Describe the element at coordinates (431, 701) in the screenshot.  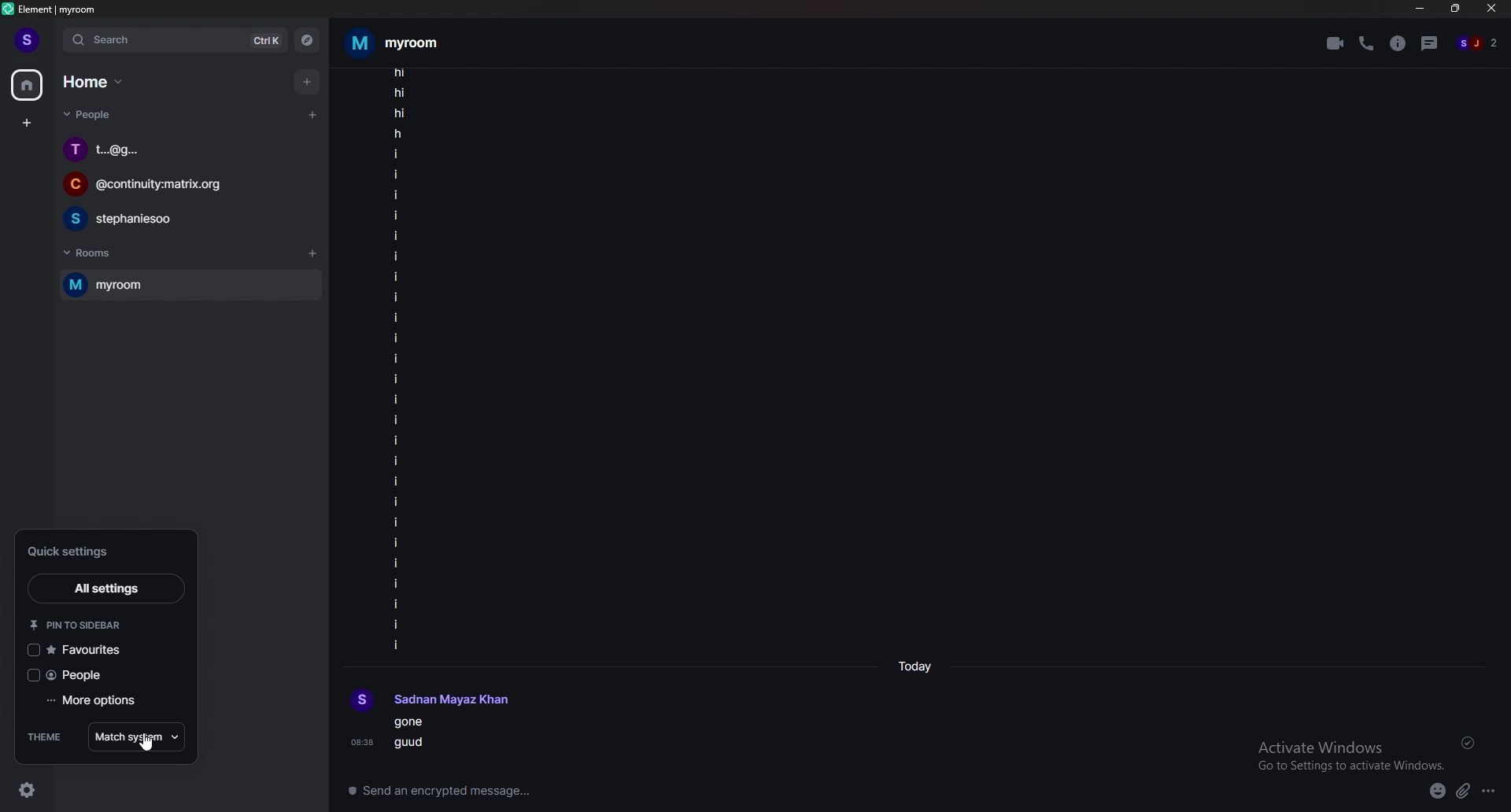
I see `profile` at that location.